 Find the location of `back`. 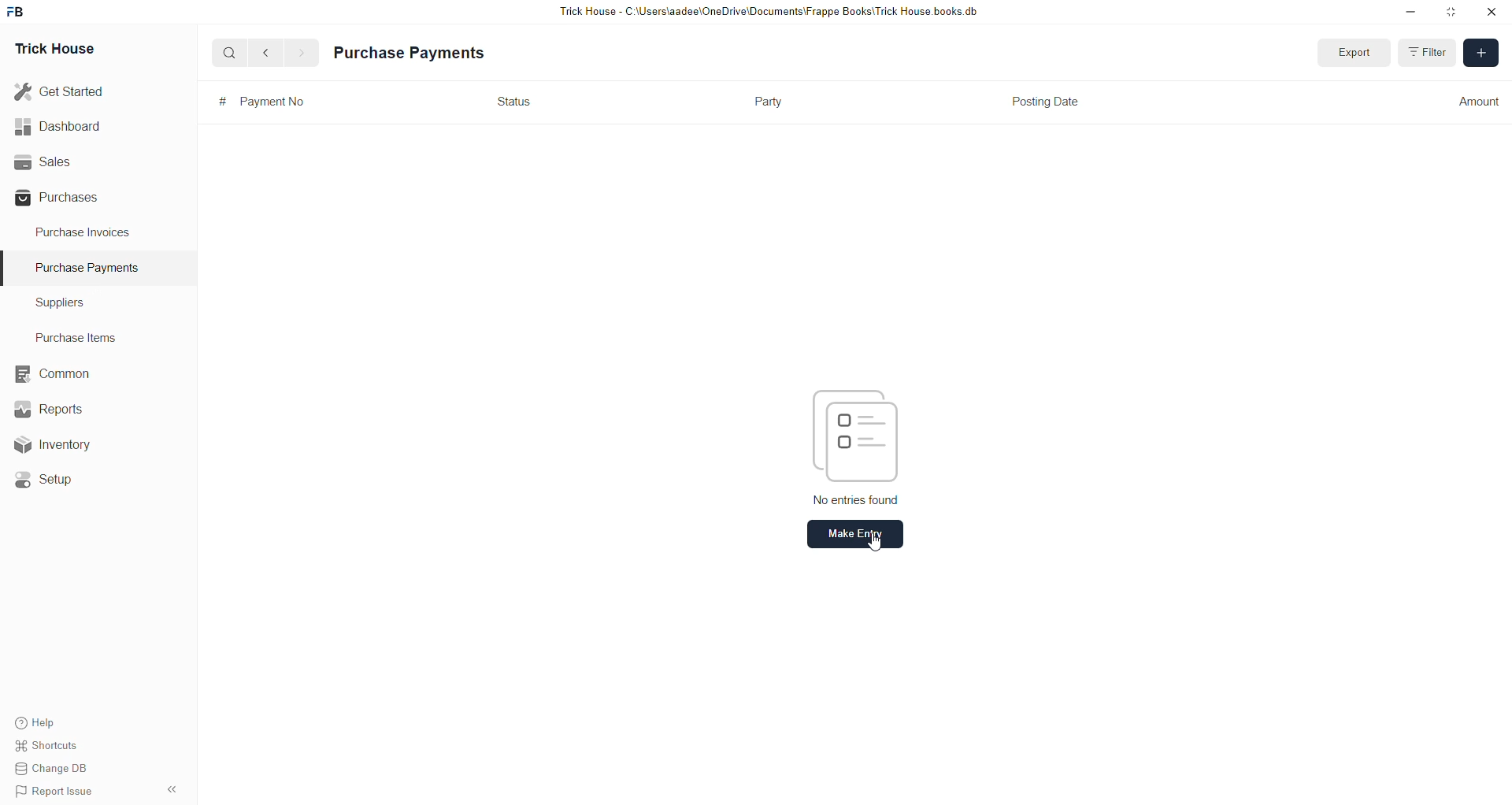

back is located at coordinates (267, 52).